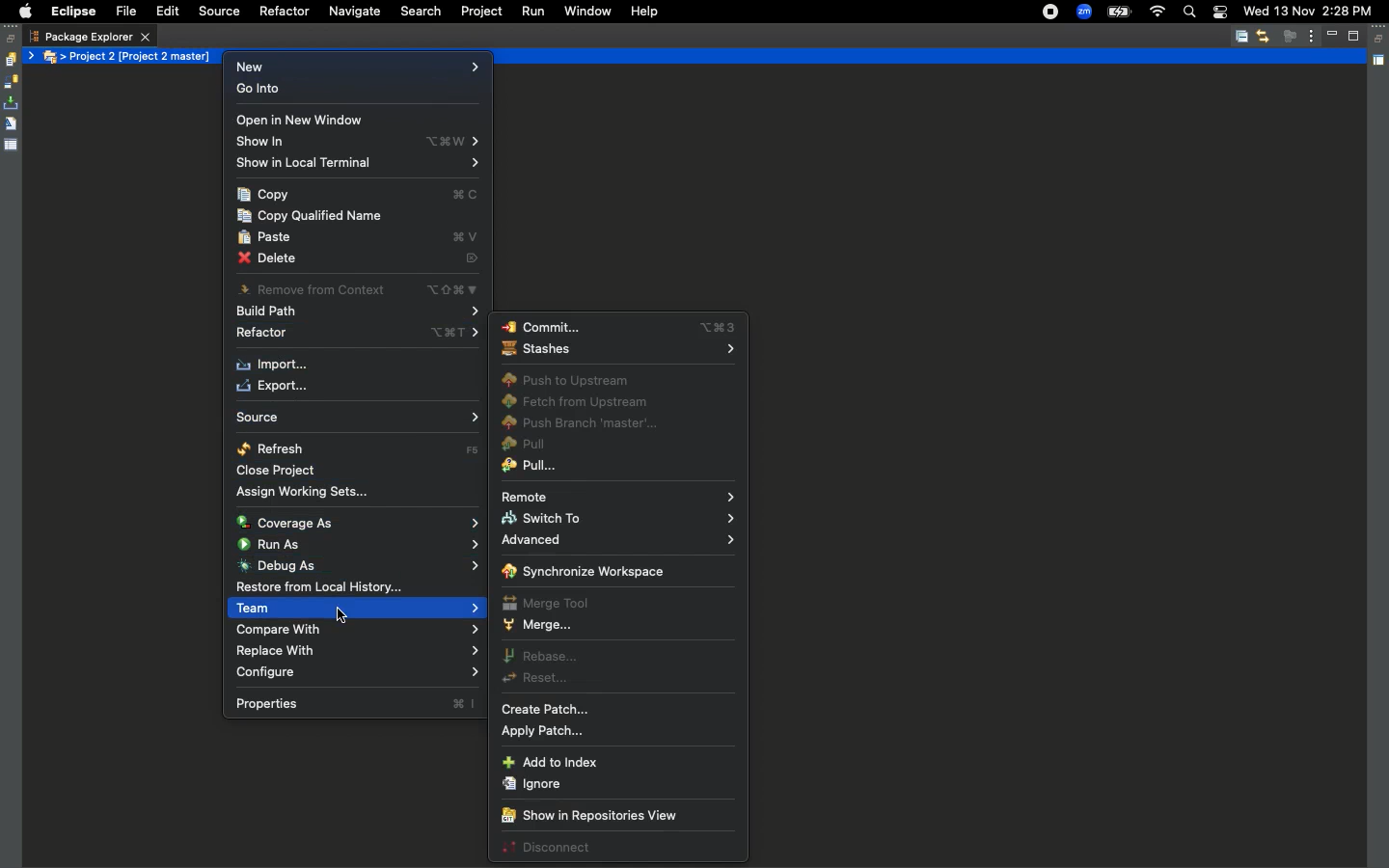 Image resolution: width=1389 pixels, height=868 pixels. I want to click on Window, so click(586, 10).